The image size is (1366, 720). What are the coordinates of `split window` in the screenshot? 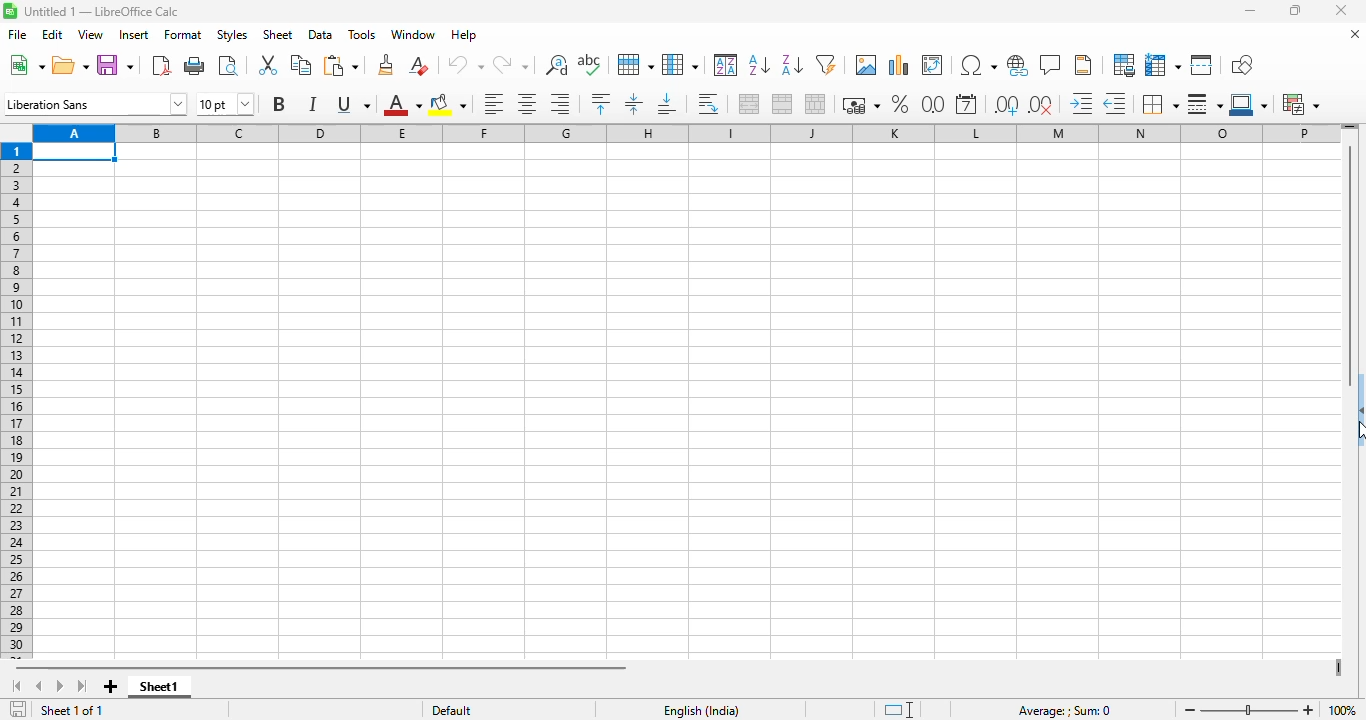 It's located at (1202, 65).